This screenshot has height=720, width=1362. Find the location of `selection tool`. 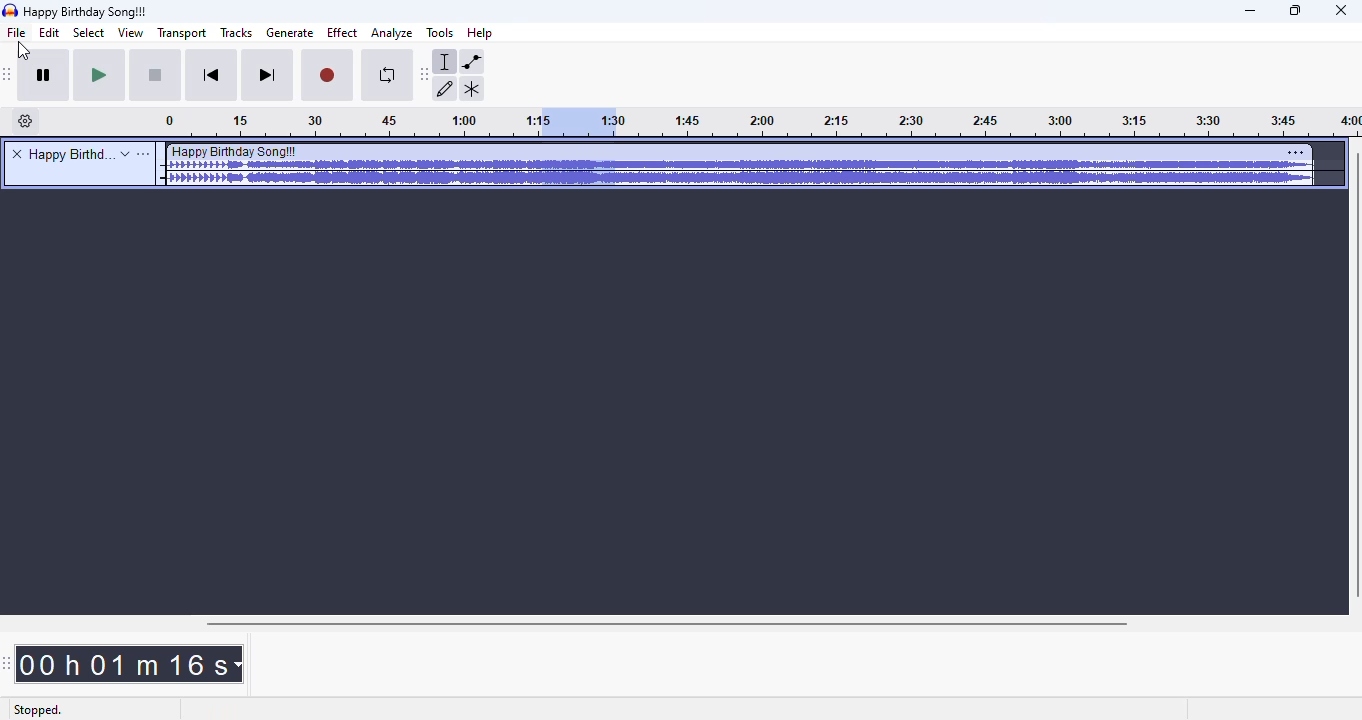

selection tool is located at coordinates (446, 62).